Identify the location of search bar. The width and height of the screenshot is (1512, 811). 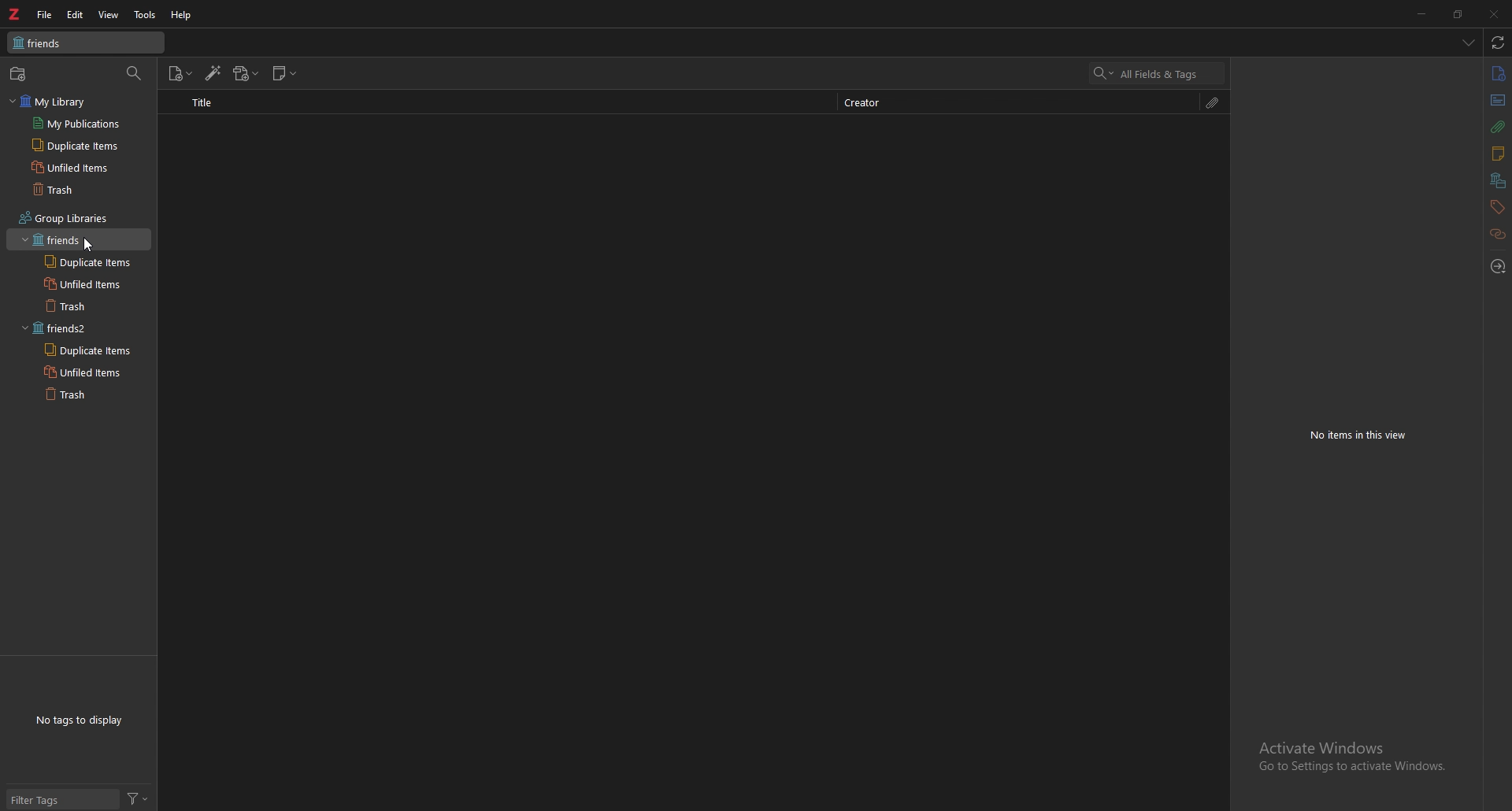
(1158, 72).